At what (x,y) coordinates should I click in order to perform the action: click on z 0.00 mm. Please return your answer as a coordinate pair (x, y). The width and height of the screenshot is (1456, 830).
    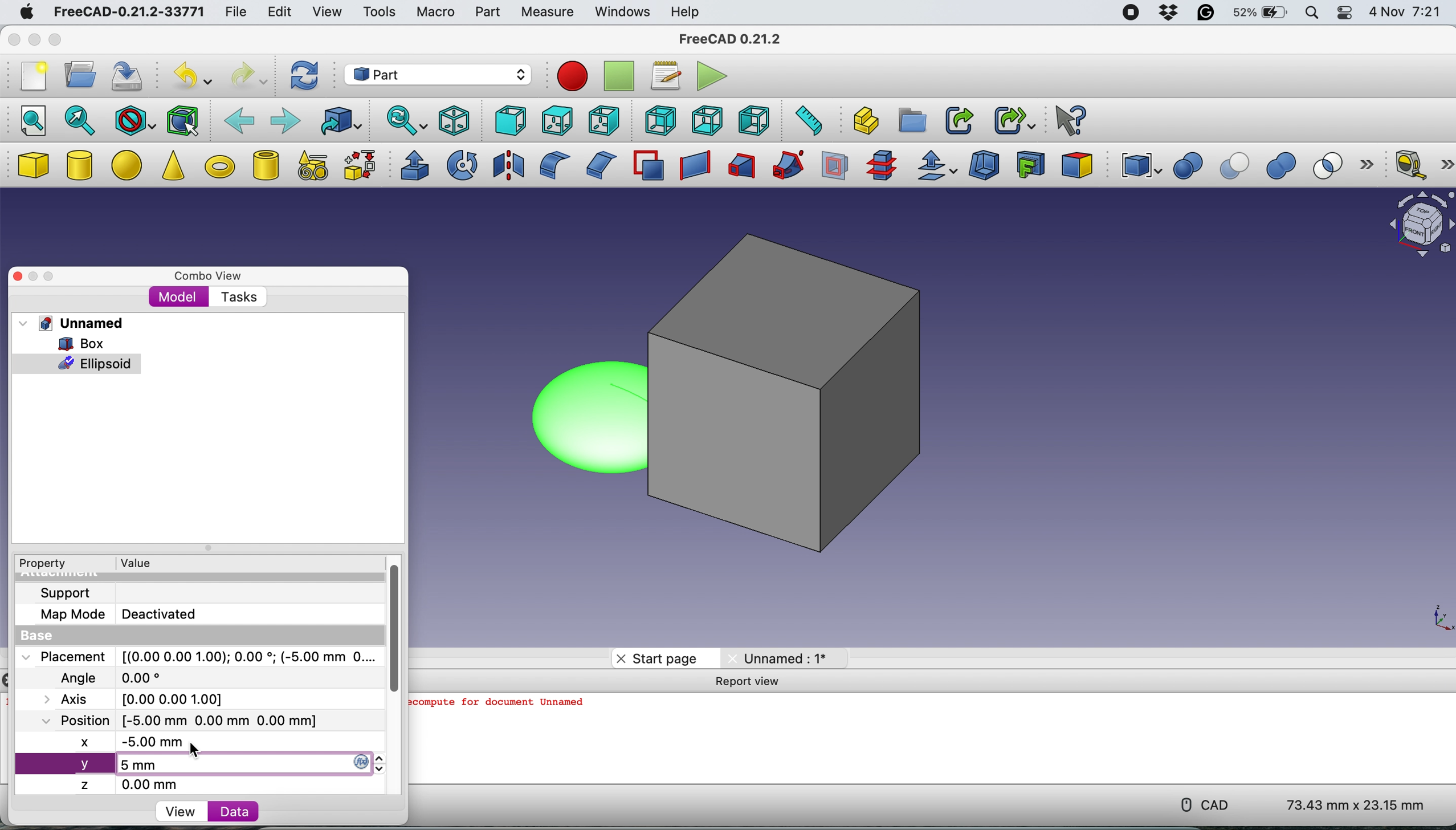
    Looking at the image, I should click on (137, 784).